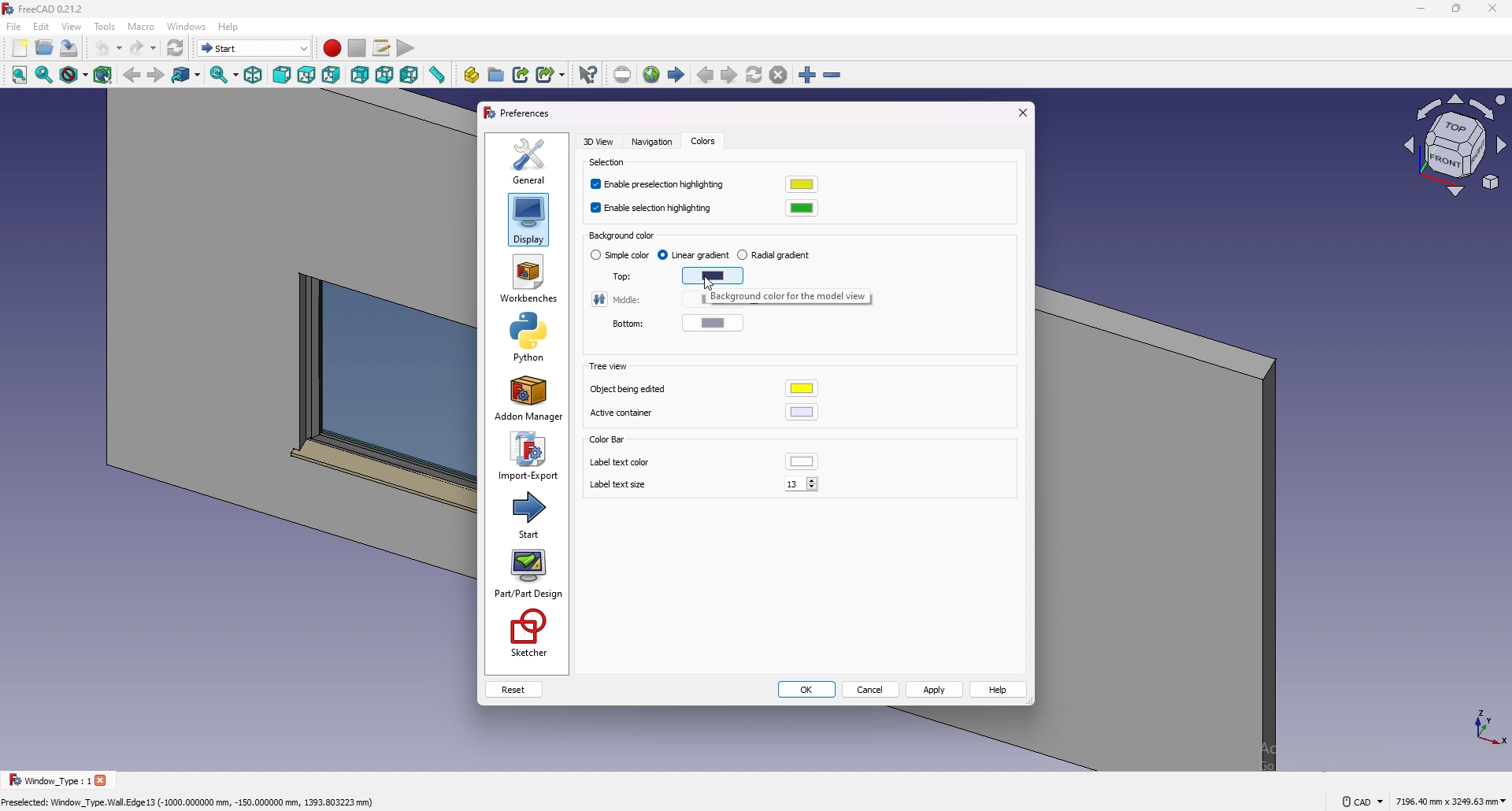 This screenshot has width=1512, height=811. I want to click on create part, so click(472, 75).